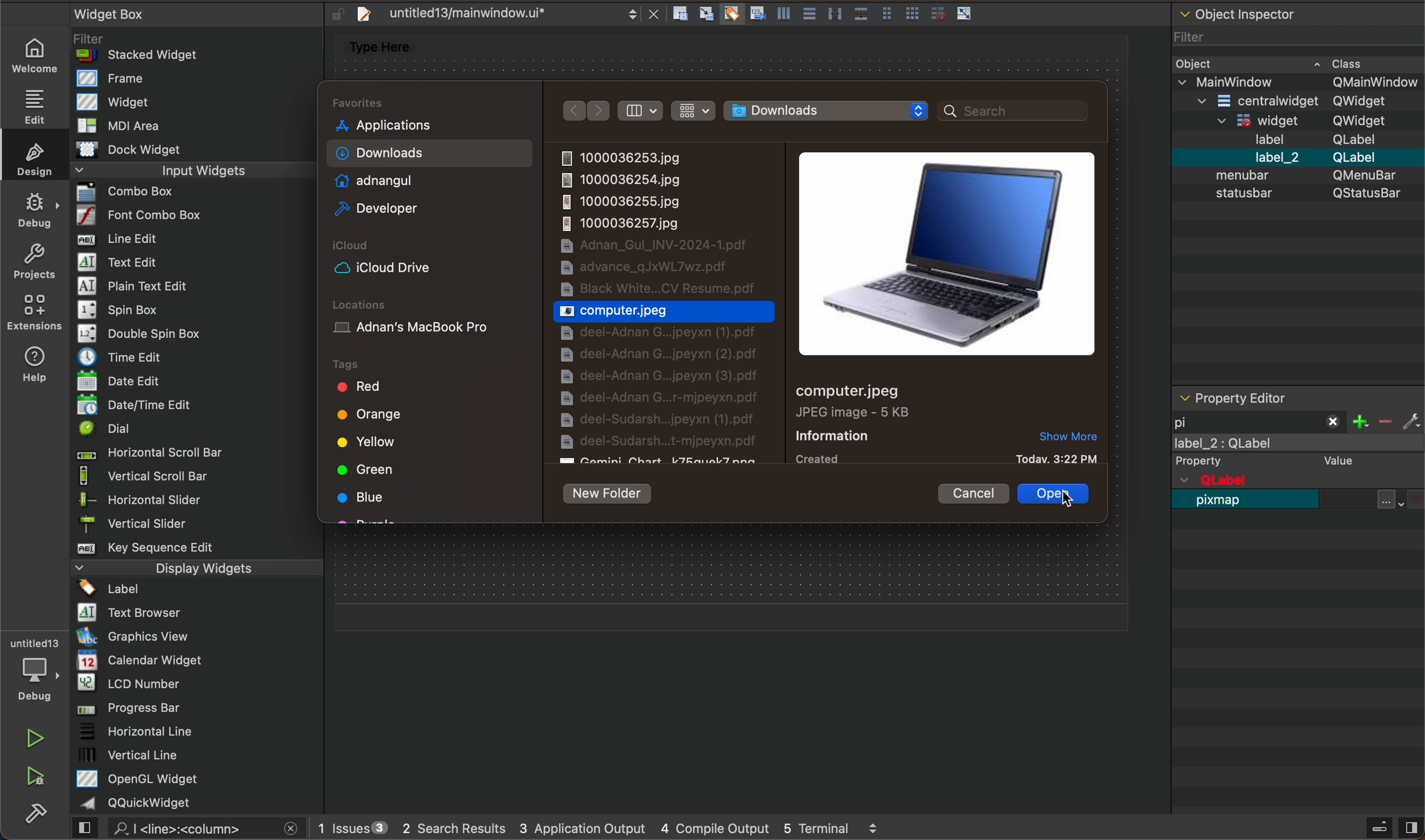 The height and width of the screenshot is (840, 1425). Describe the element at coordinates (34, 312) in the screenshot. I see `Extension ` at that location.